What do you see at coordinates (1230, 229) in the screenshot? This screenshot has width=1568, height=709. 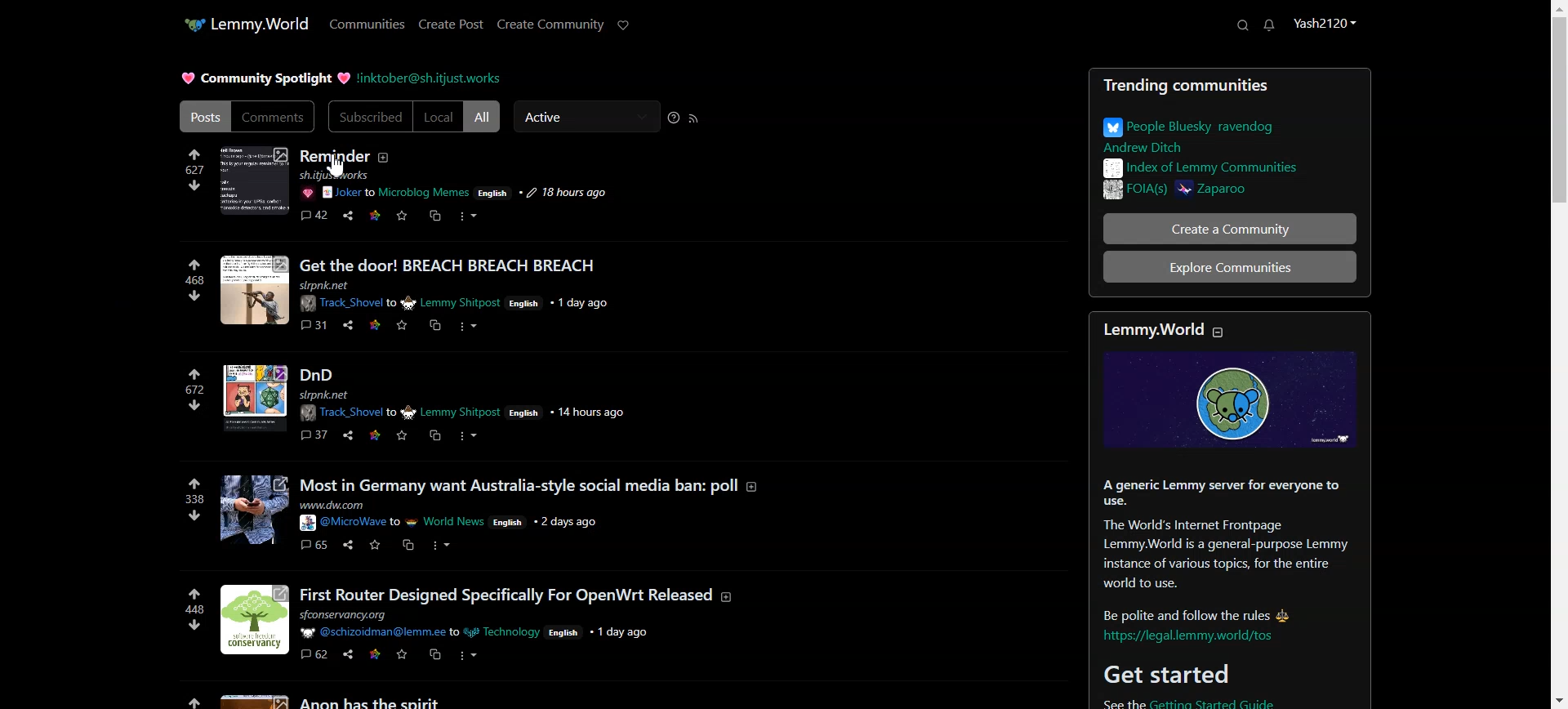 I see `Create a community` at bounding box center [1230, 229].